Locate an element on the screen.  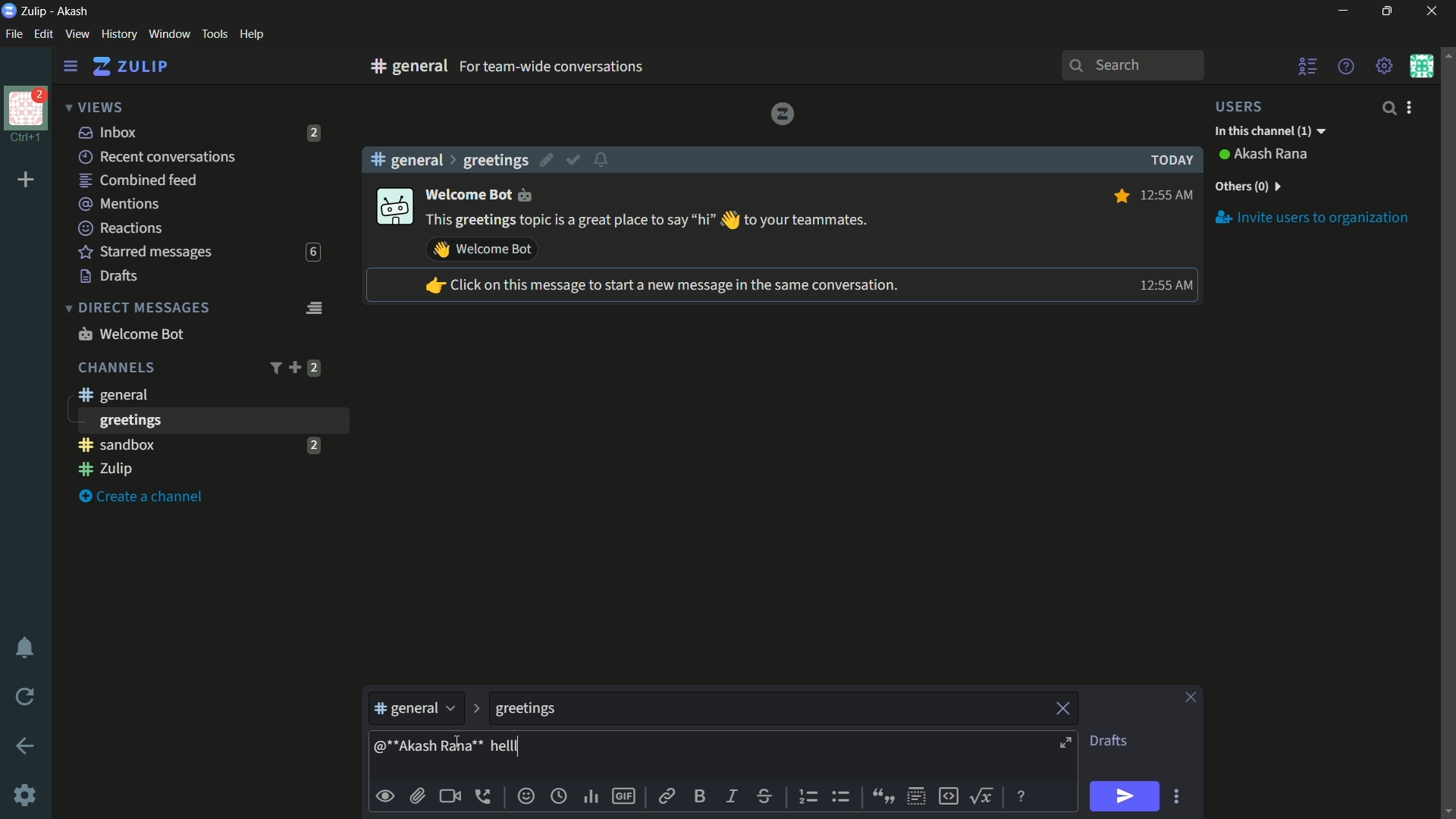
direct message feed is located at coordinates (313, 306).